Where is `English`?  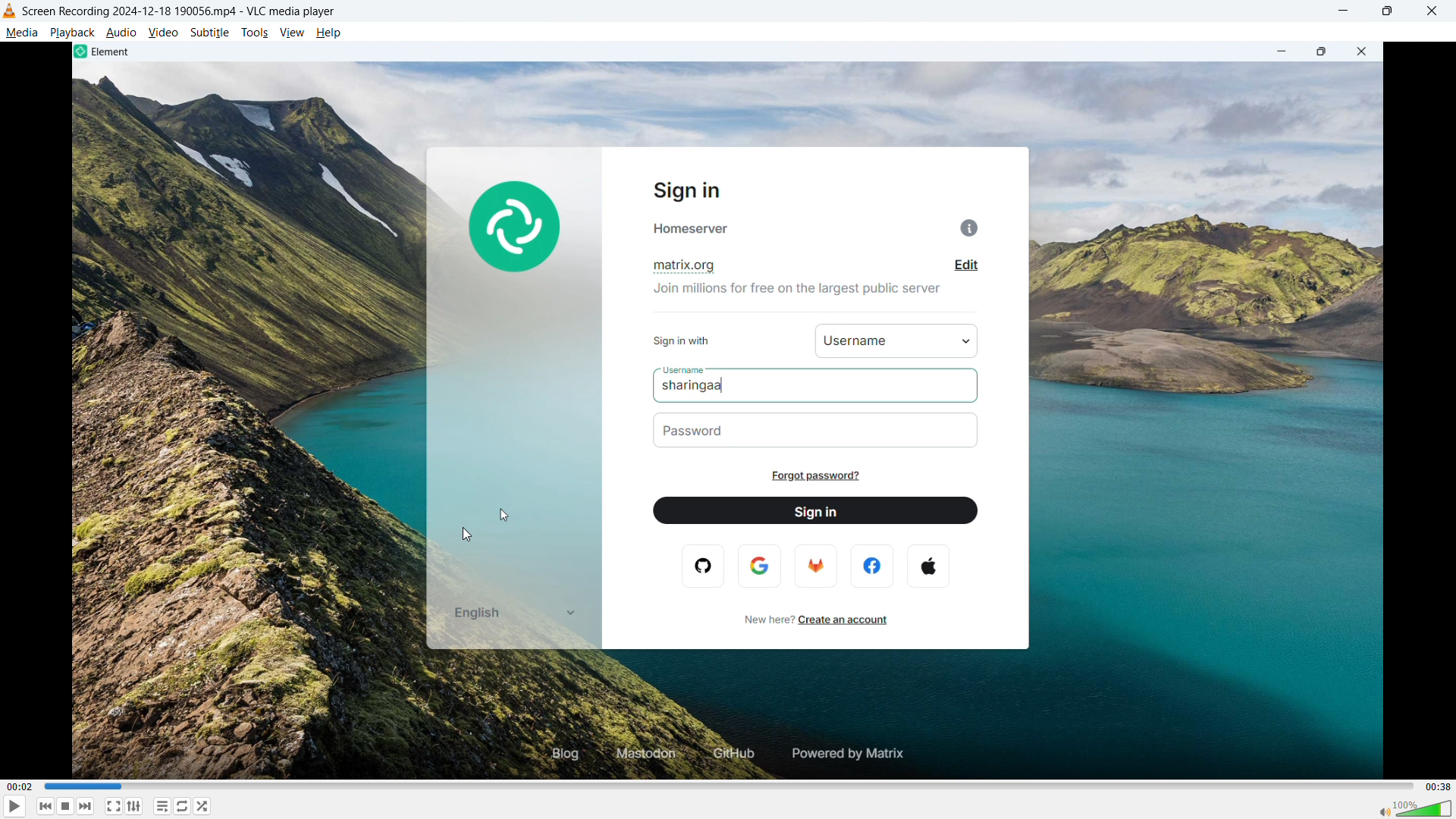
English is located at coordinates (478, 614).